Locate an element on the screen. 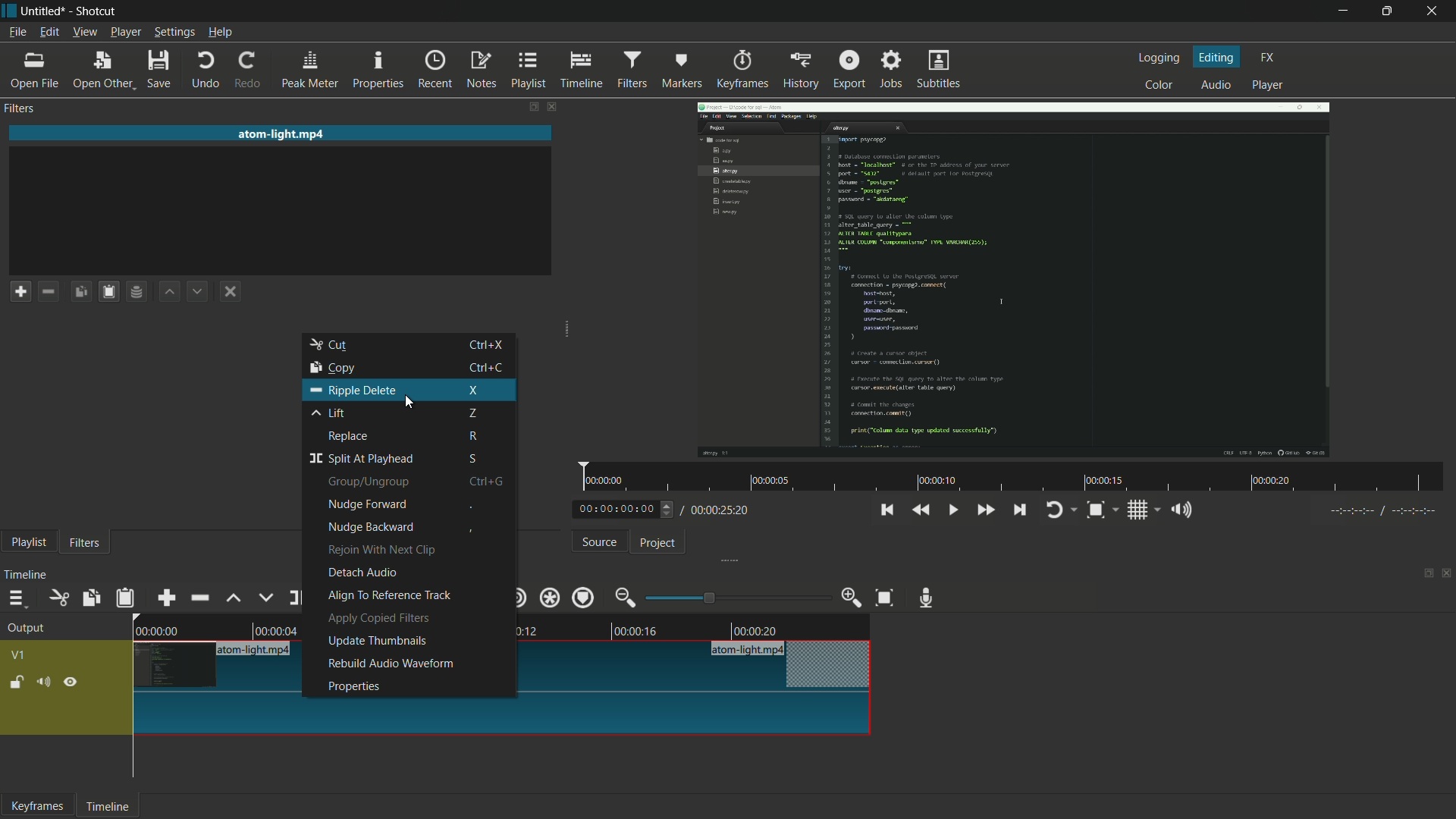 This screenshot has height=819, width=1456. mute is located at coordinates (43, 682).